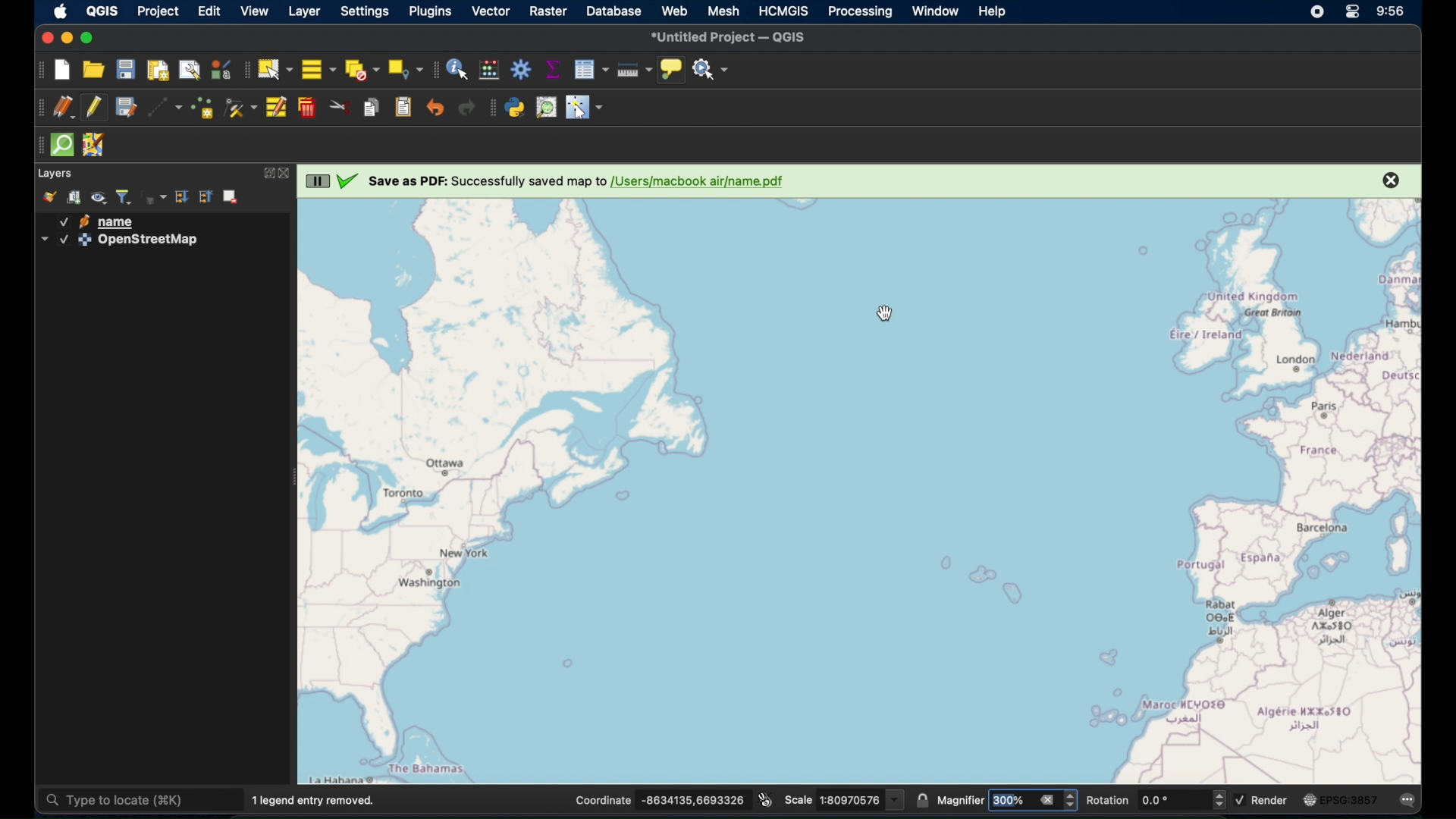  What do you see at coordinates (882, 314) in the screenshot?
I see `cursor` at bounding box center [882, 314].